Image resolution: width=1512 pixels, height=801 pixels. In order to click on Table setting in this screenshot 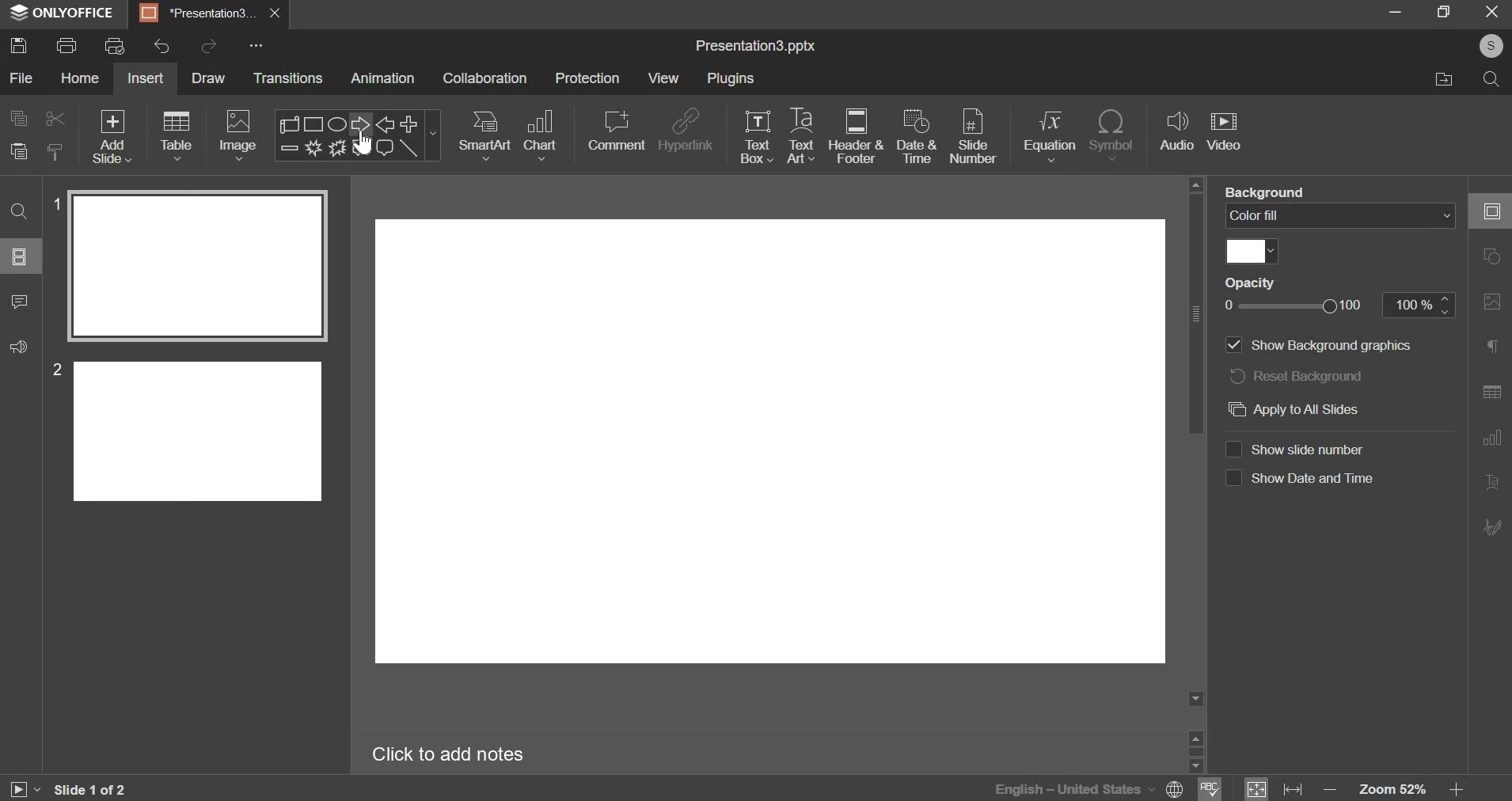, I will do `click(1492, 394)`.